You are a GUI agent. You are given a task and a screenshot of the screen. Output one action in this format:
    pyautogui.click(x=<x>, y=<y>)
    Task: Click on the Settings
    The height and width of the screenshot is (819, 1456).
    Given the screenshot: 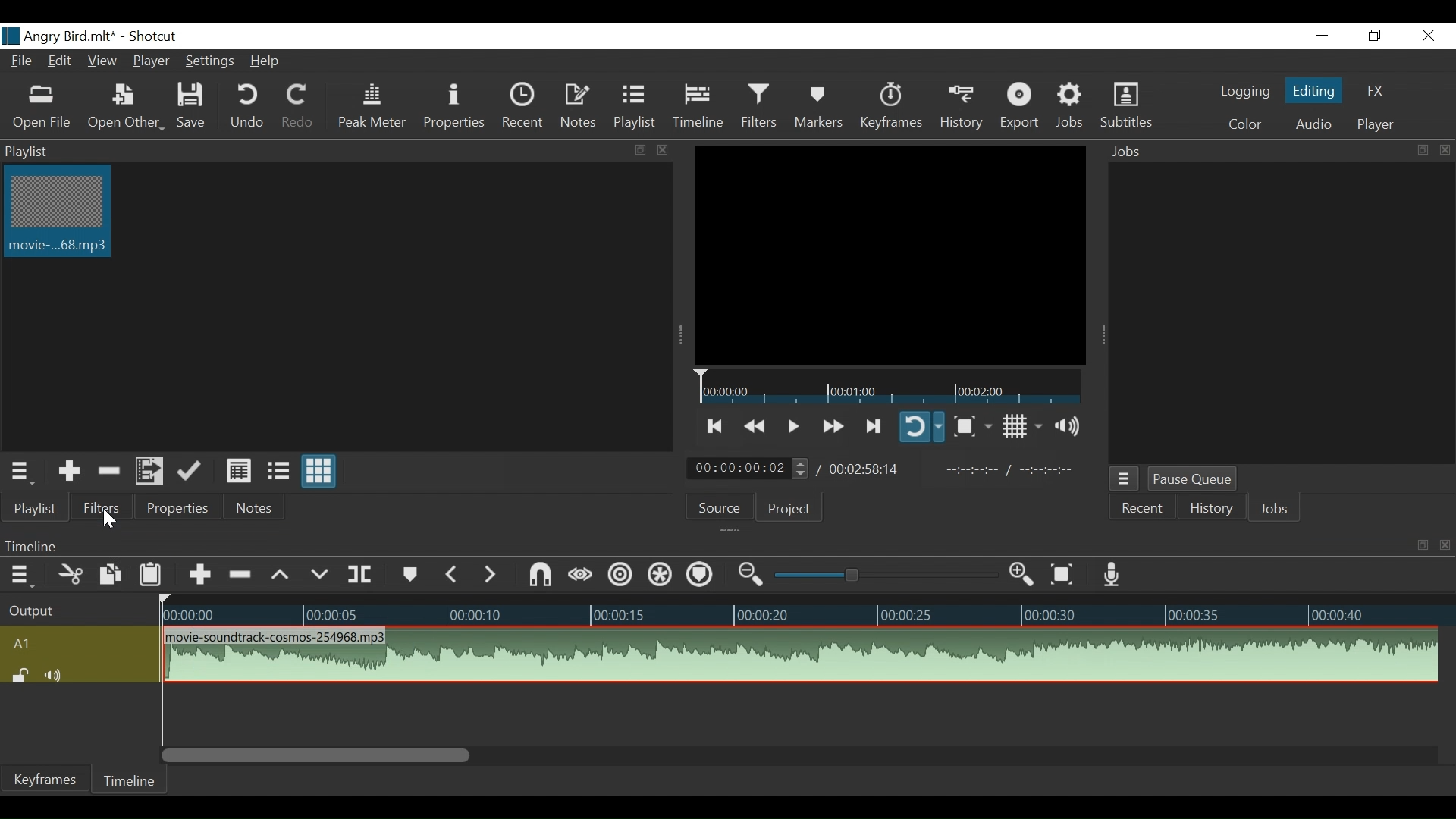 What is the action you would take?
    pyautogui.click(x=208, y=61)
    